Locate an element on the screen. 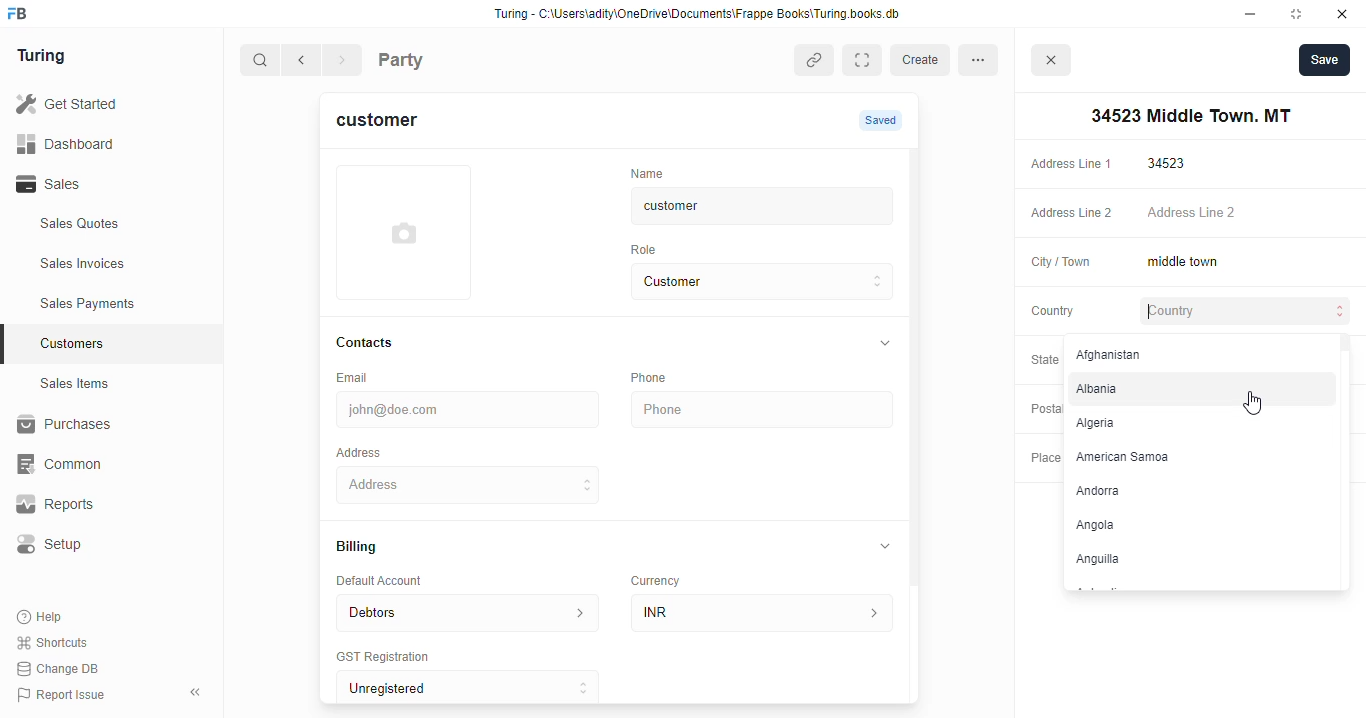 The width and height of the screenshot is (1366, 718). middle town is located at coordinates (1246, 263).